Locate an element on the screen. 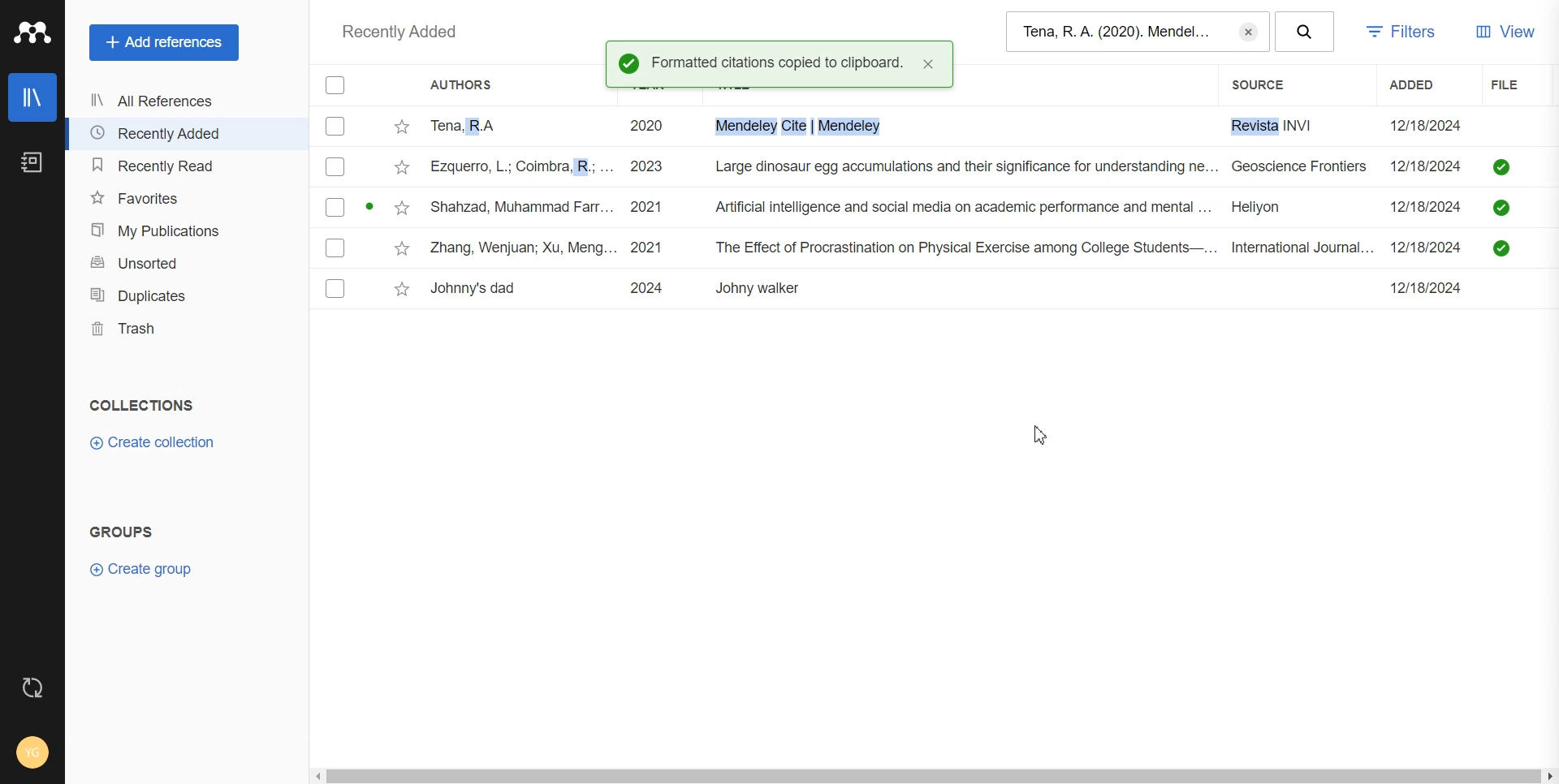 Image resolution: width=1559 pixels, height=784 pixels. 12/18/2024 is located at coordinates (1432, 205).